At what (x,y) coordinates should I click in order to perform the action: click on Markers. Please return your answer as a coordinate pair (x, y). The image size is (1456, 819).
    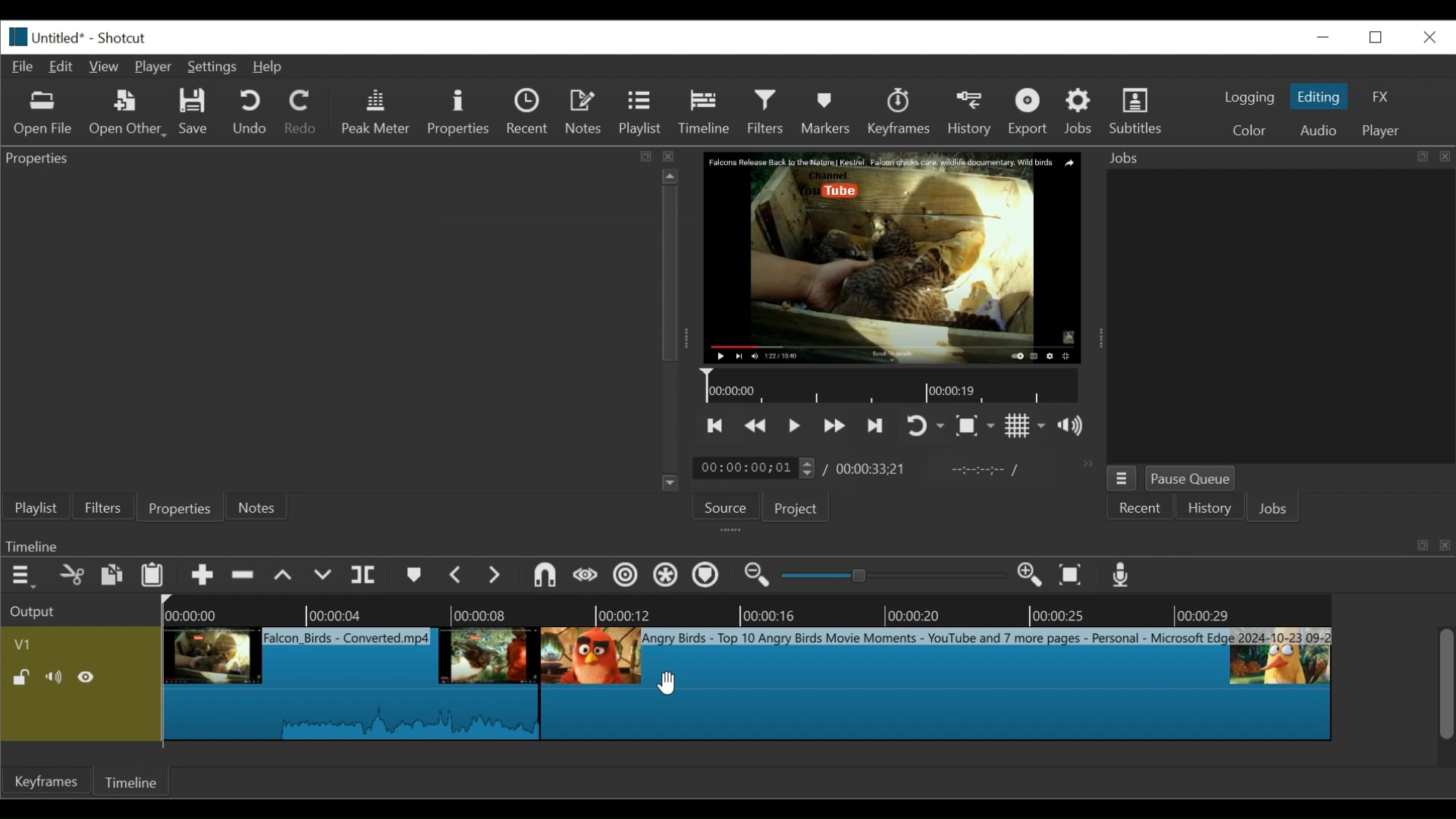
    Looking at the image, I should click on (827, 111).